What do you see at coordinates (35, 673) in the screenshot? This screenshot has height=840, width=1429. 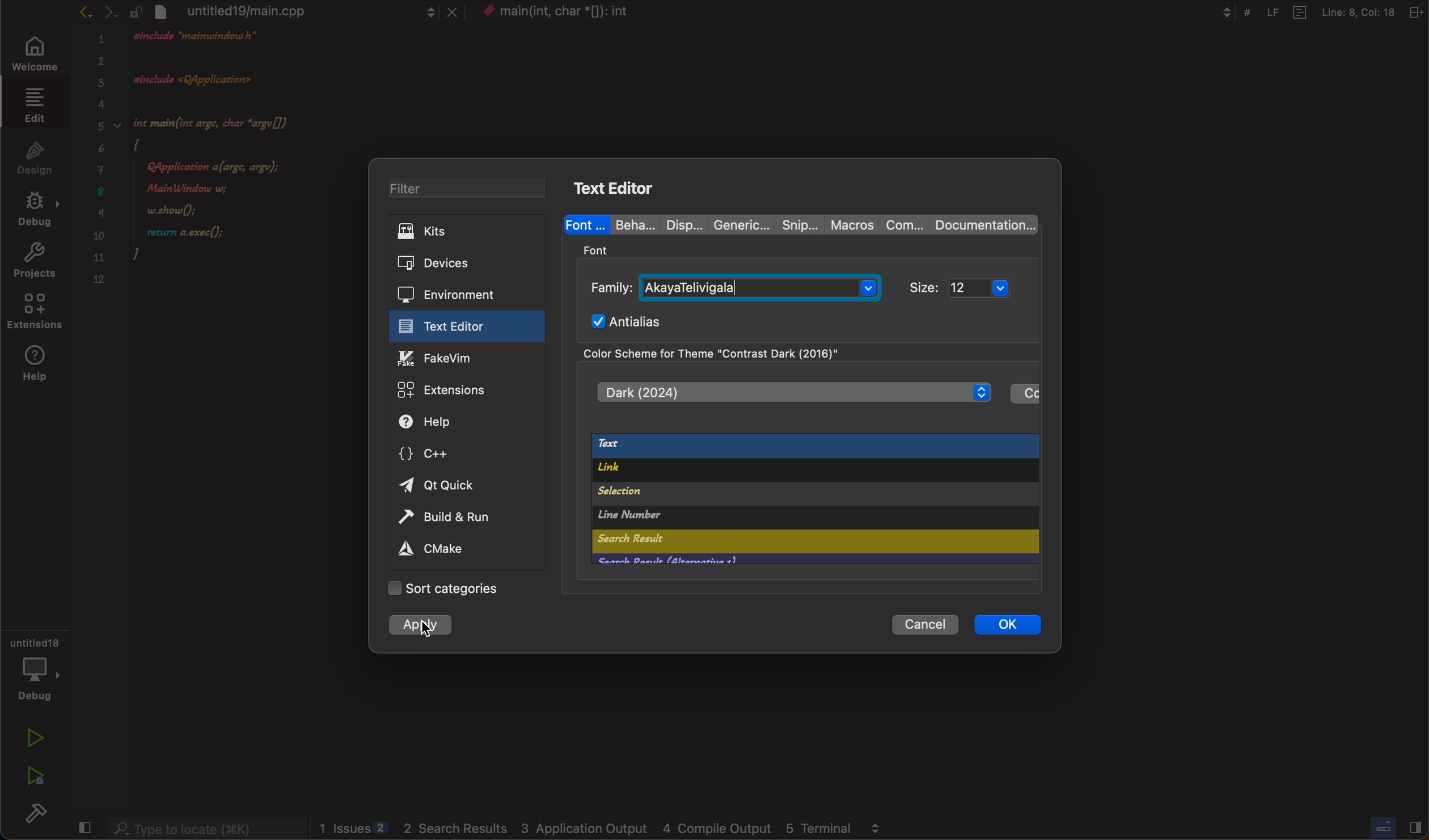 I see `debug` at bounding box center [35, 673].